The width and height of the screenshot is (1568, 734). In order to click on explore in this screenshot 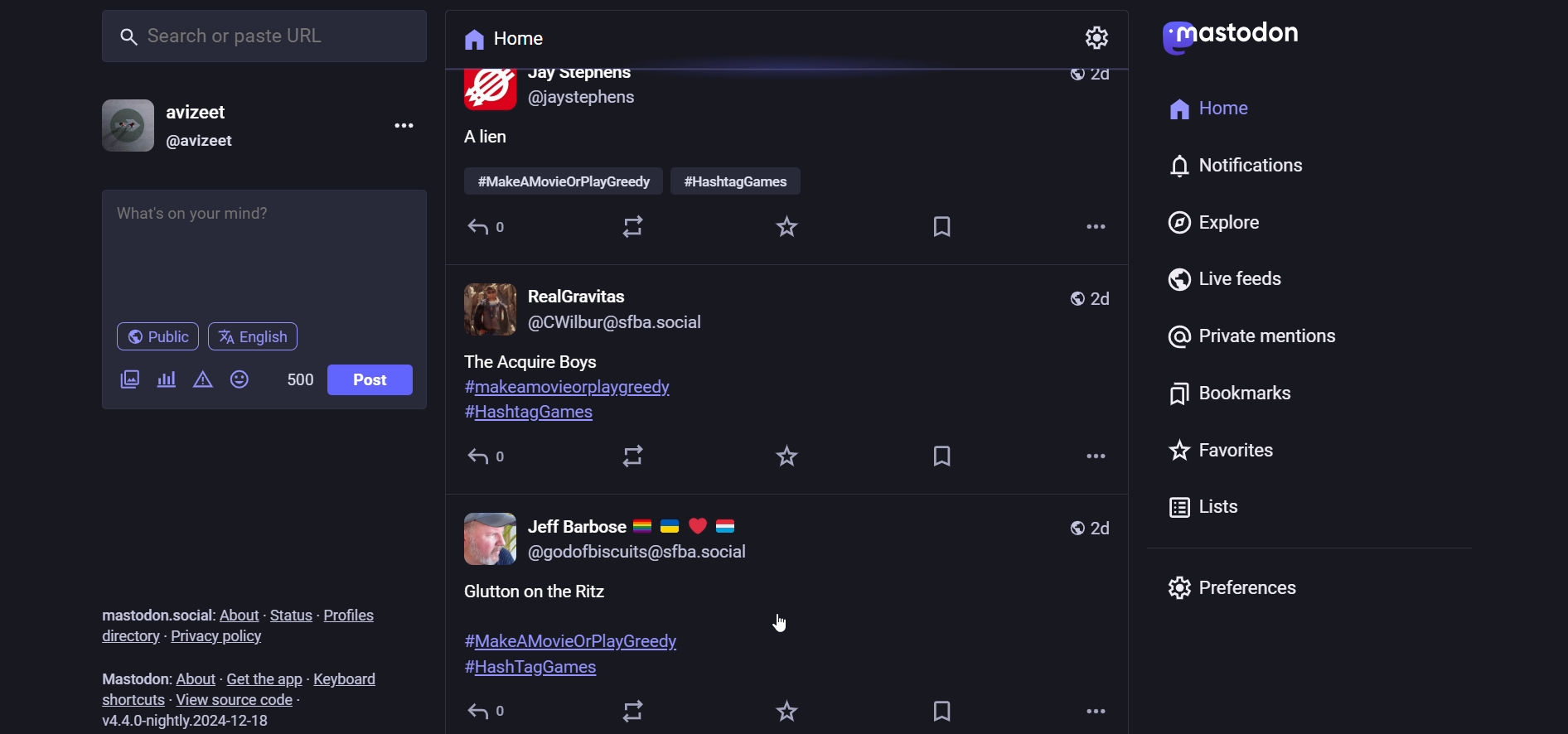, I will do `click(1212, 224)`.